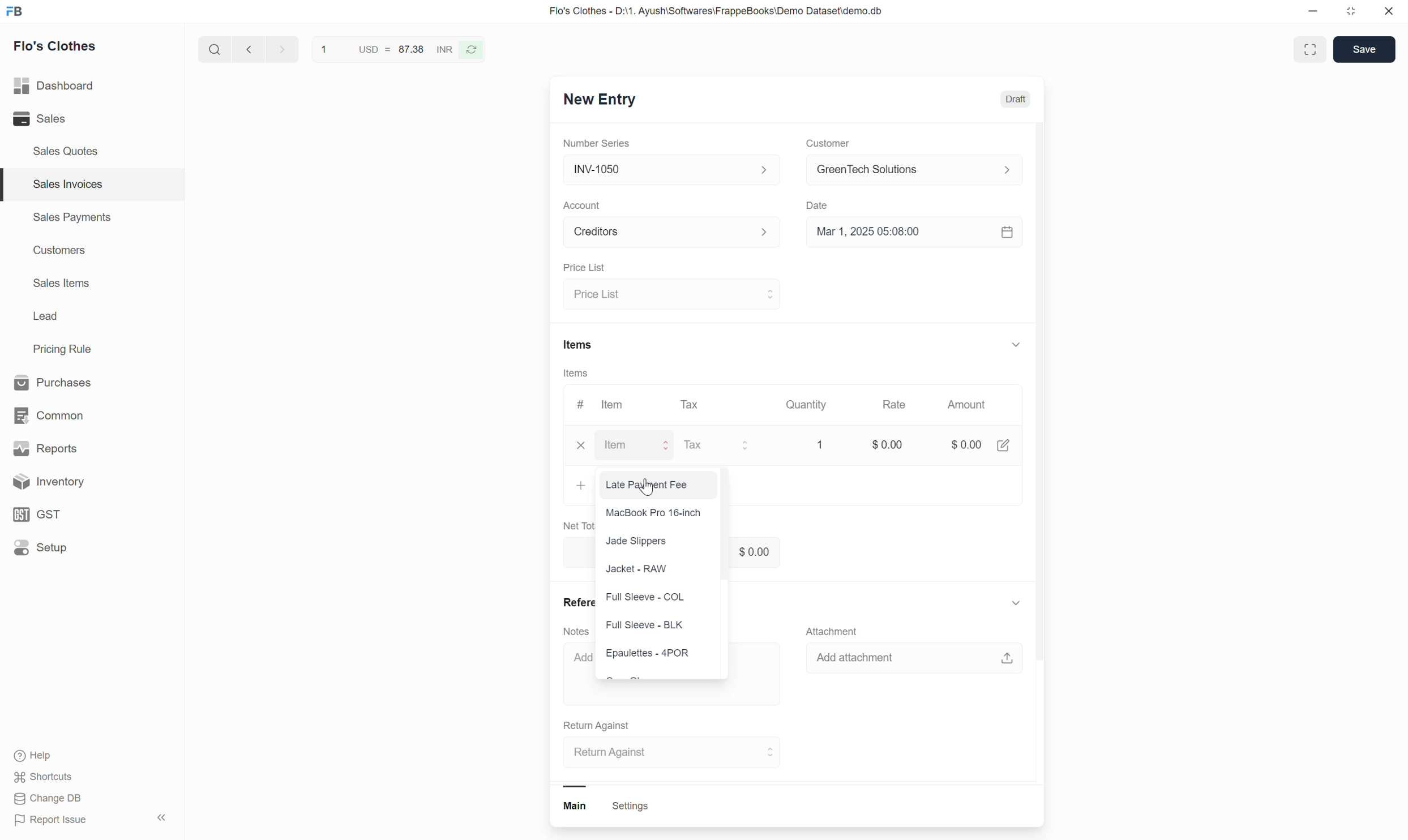 This screenshot has height=840, width=1408. What do you see at coordinates (248, 52) in the screenshot?
I see `go back ` at bounding box center [248, 52].